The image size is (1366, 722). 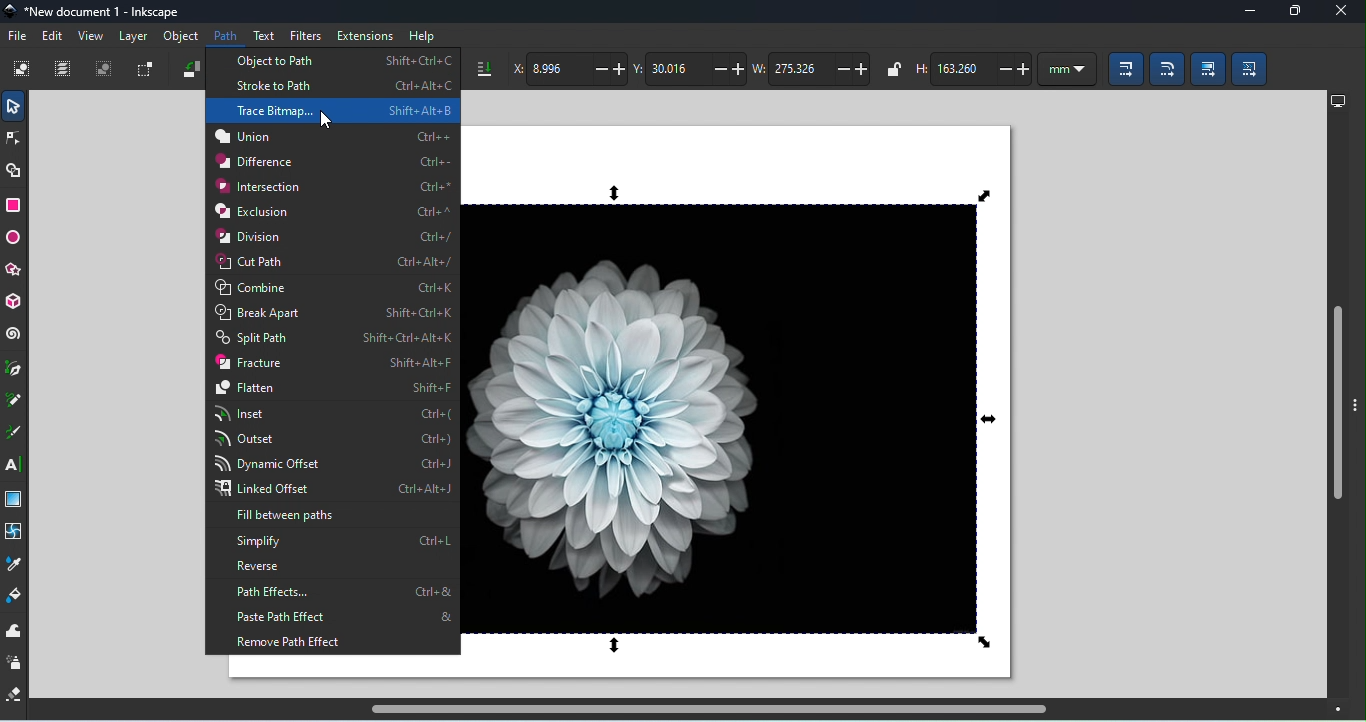 I want to click on Edit, so click(x=53, y=36).